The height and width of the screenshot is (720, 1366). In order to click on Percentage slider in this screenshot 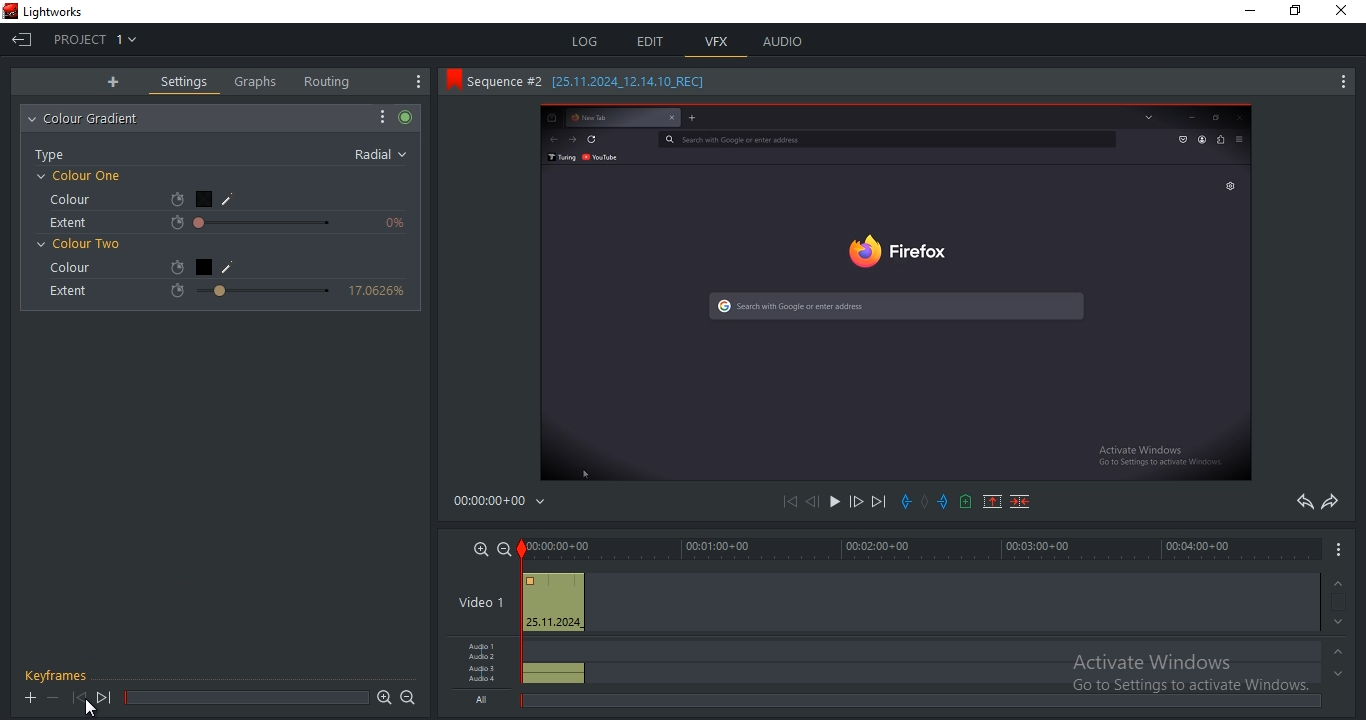, I will do `click(267, 224)`.